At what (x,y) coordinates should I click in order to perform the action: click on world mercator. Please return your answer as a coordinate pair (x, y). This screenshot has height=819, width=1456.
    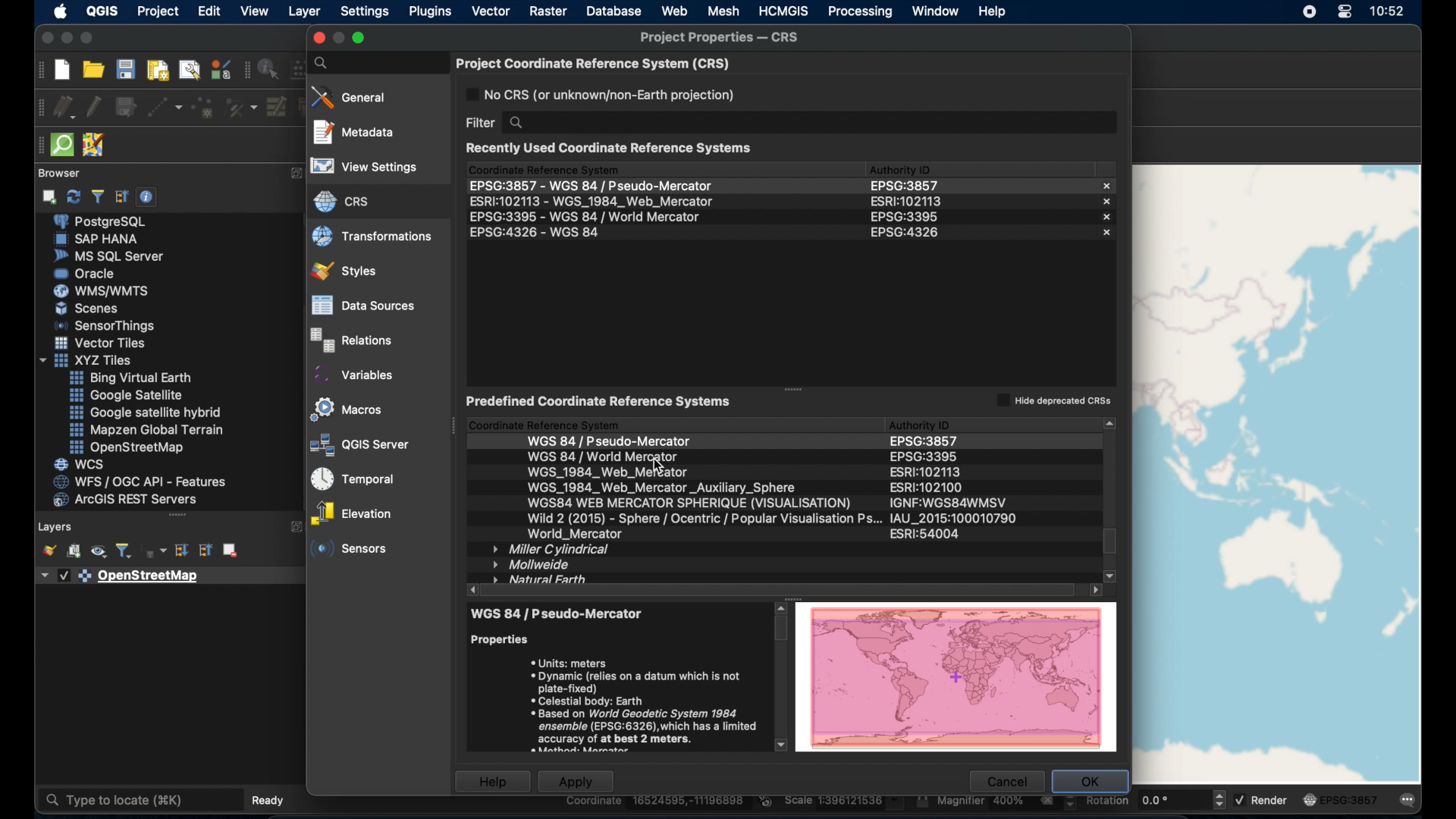
    Looking at the image, I should click on (574, 535).